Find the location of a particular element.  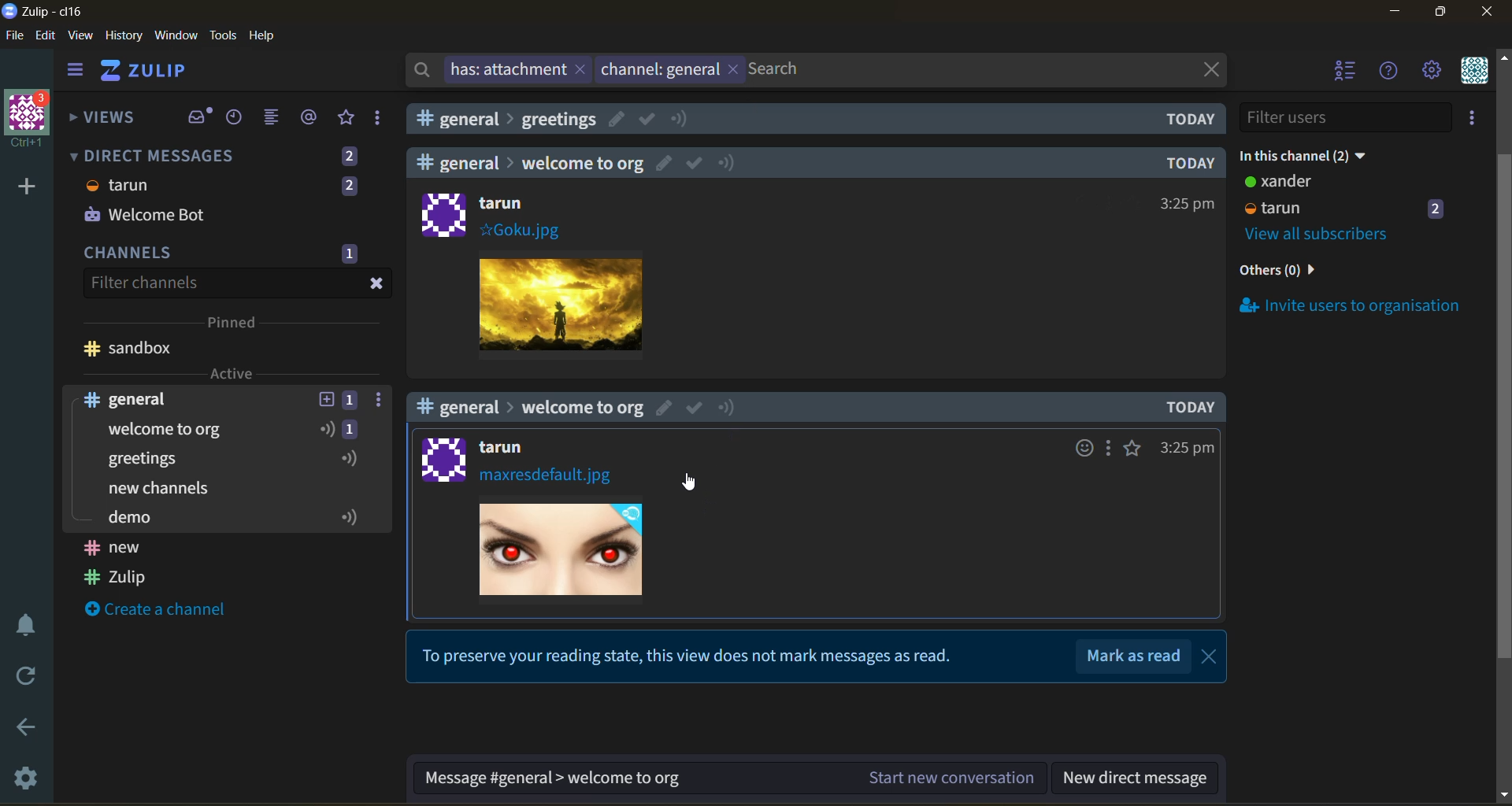

go back is located at coordinates (31, 730).